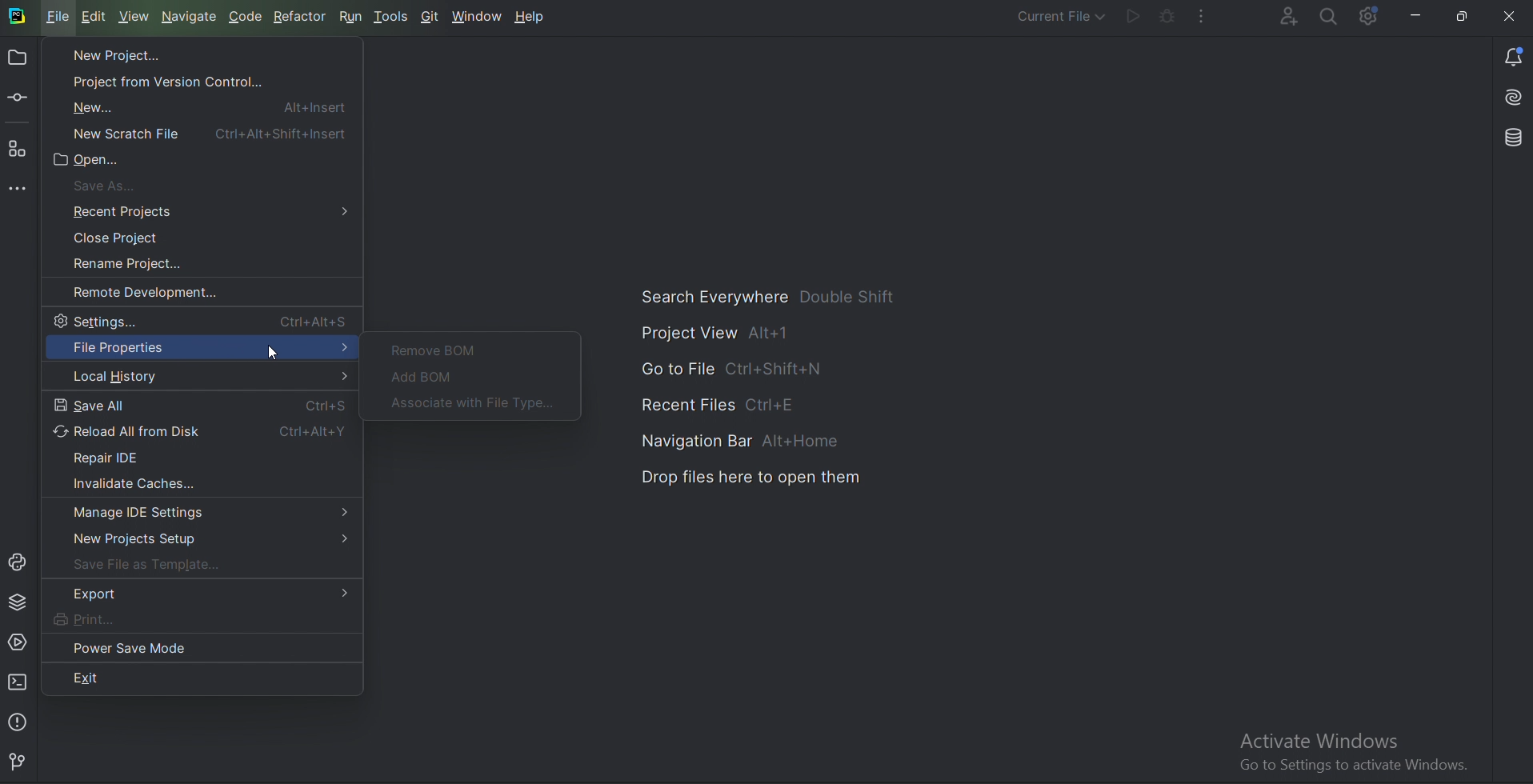 The image size is (1533, 784). I want to click on Services, so click(17, 642).